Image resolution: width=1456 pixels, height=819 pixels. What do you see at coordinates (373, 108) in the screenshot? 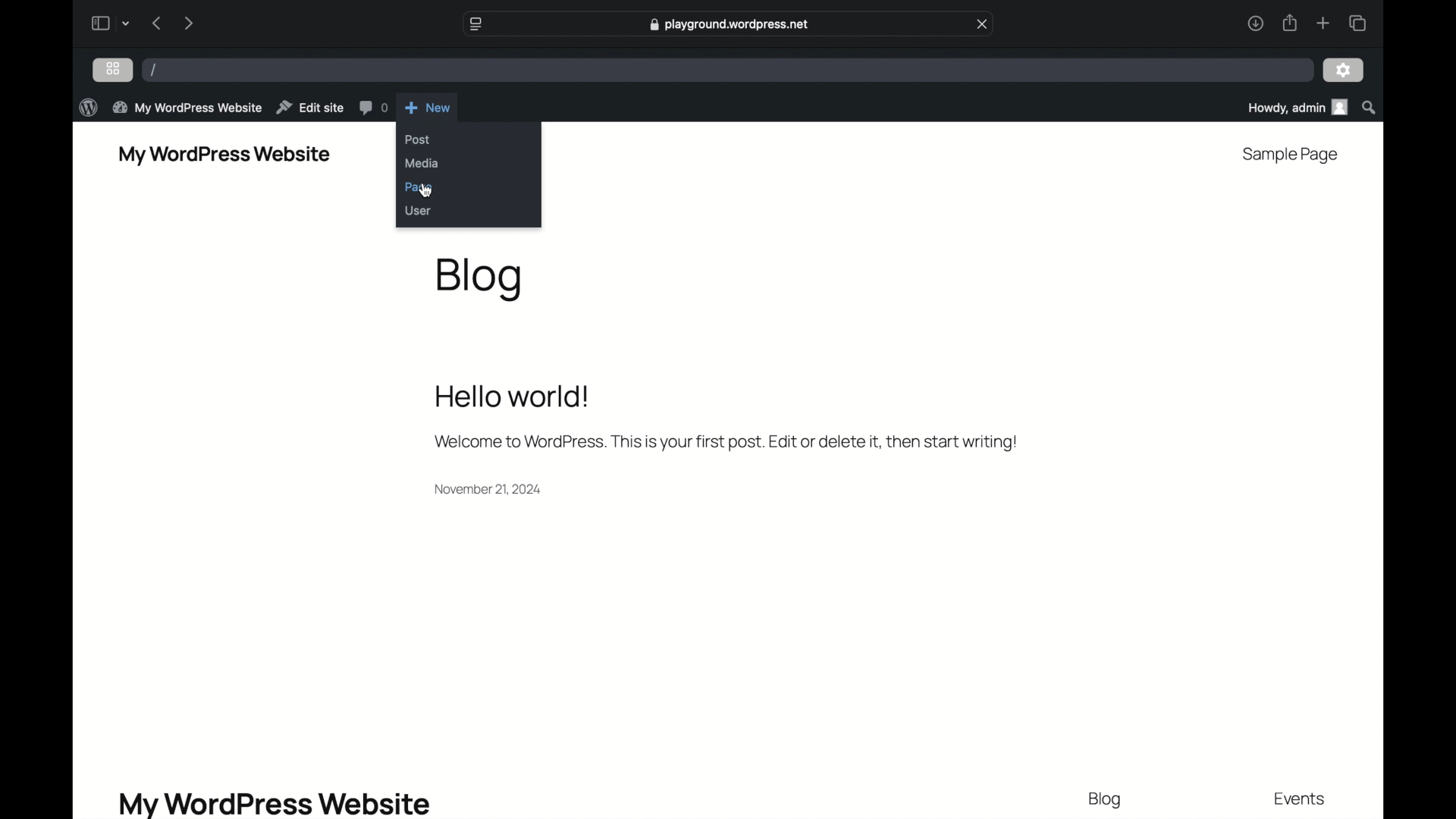
I see `comments` at bounding box center [373, 108].